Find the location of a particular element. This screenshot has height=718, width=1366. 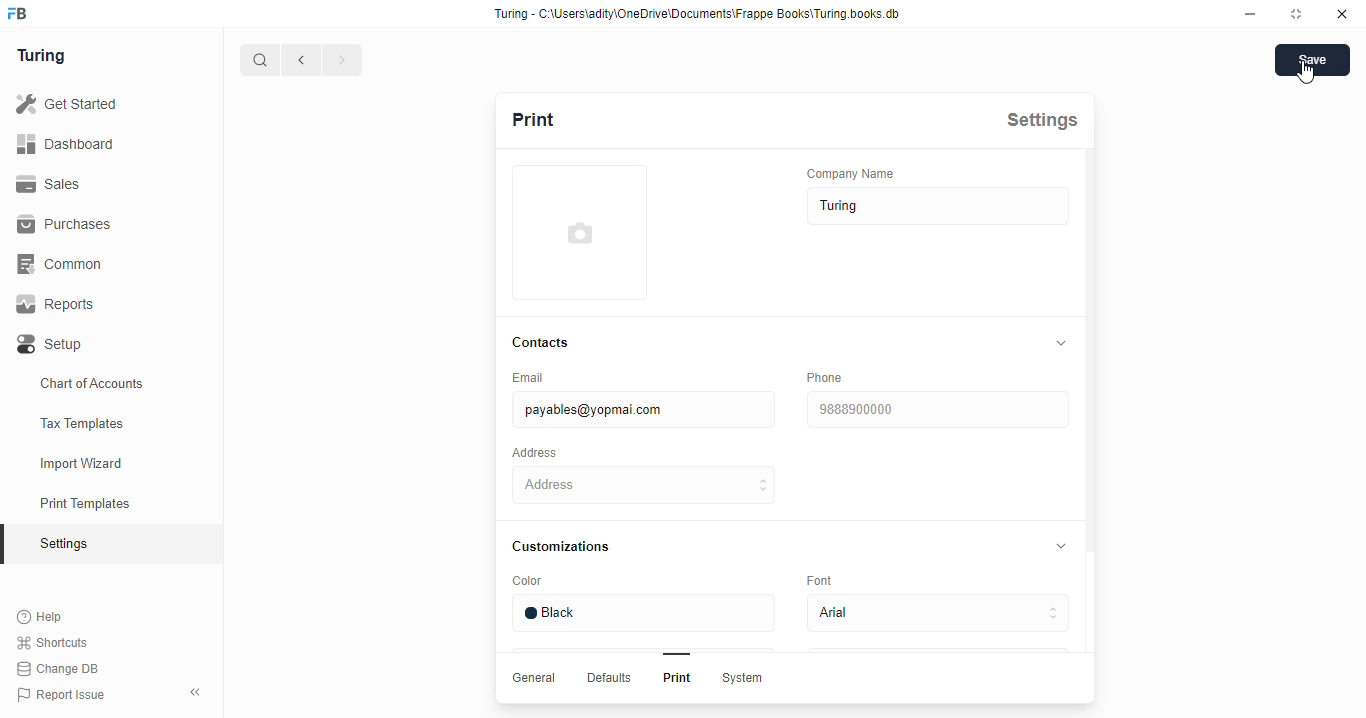

Black is located at coordinates (648, 612).